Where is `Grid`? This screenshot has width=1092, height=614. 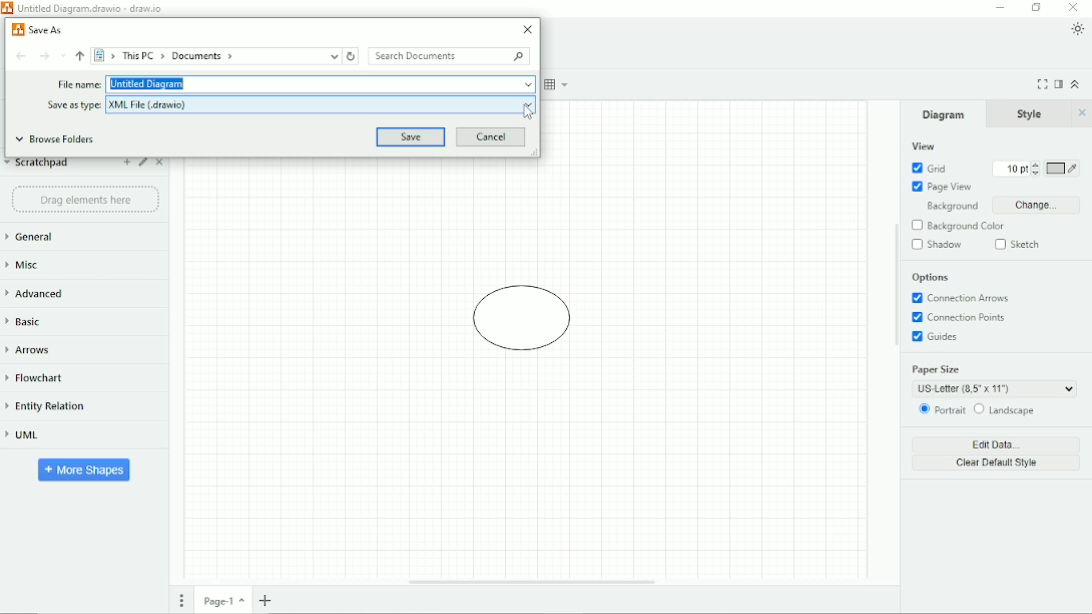 Grid is located at coordinates (930, 168).